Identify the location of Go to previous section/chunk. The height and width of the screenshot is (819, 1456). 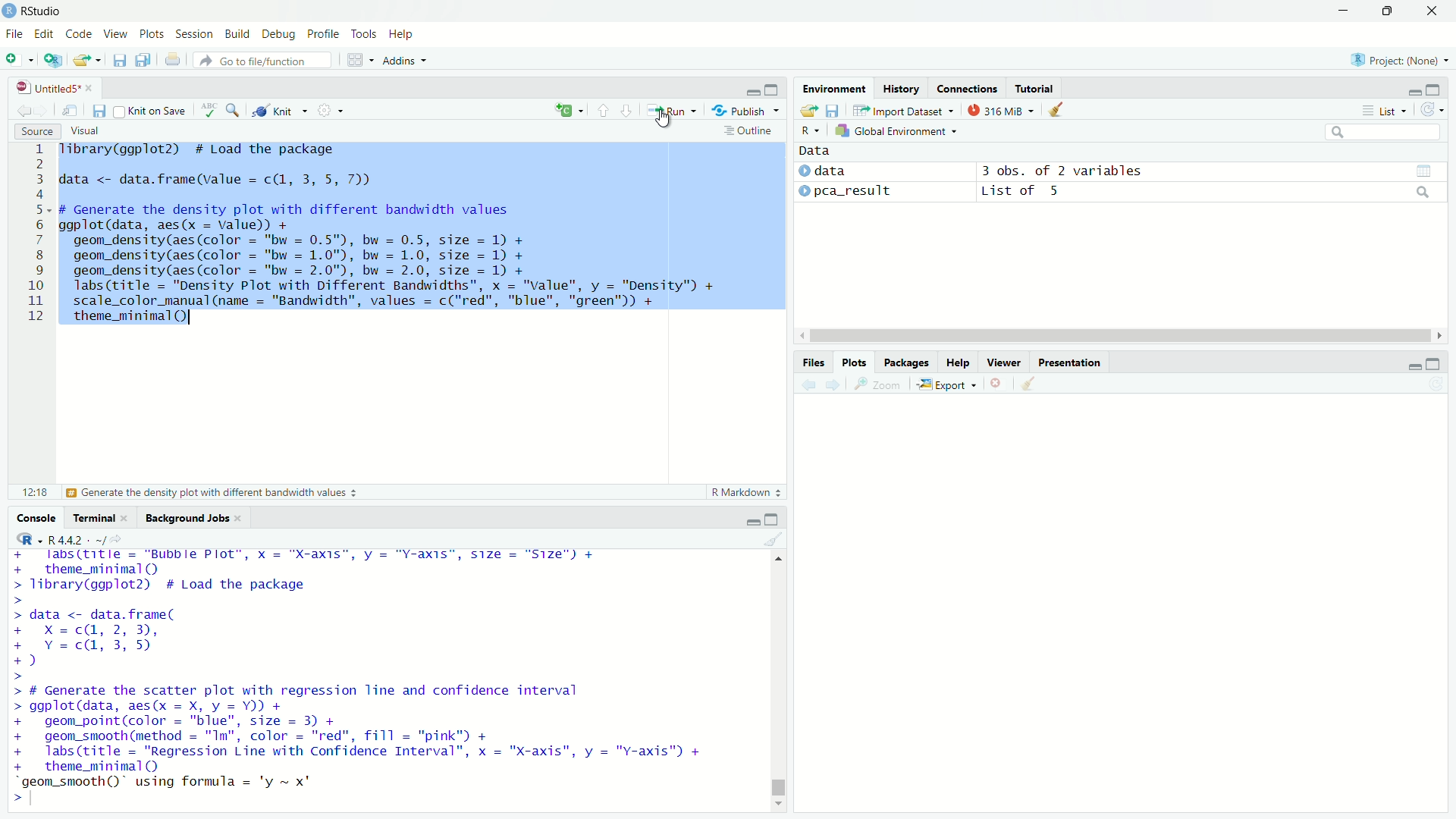
(602, 109).